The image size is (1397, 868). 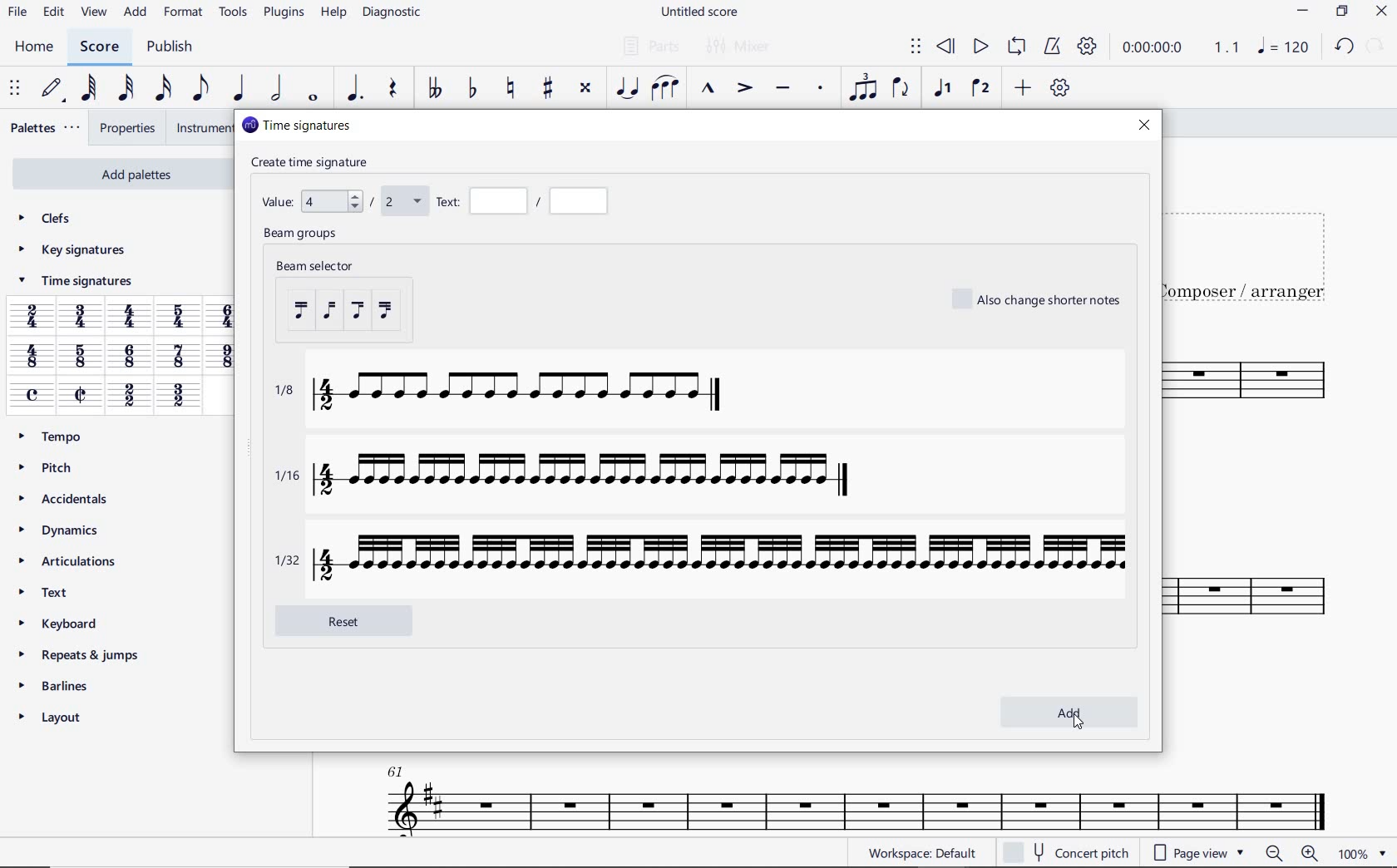 What do you see at coordinates (230, 12) in the screenshot?
I see `TOOLS` at bounding box center [230, 12].